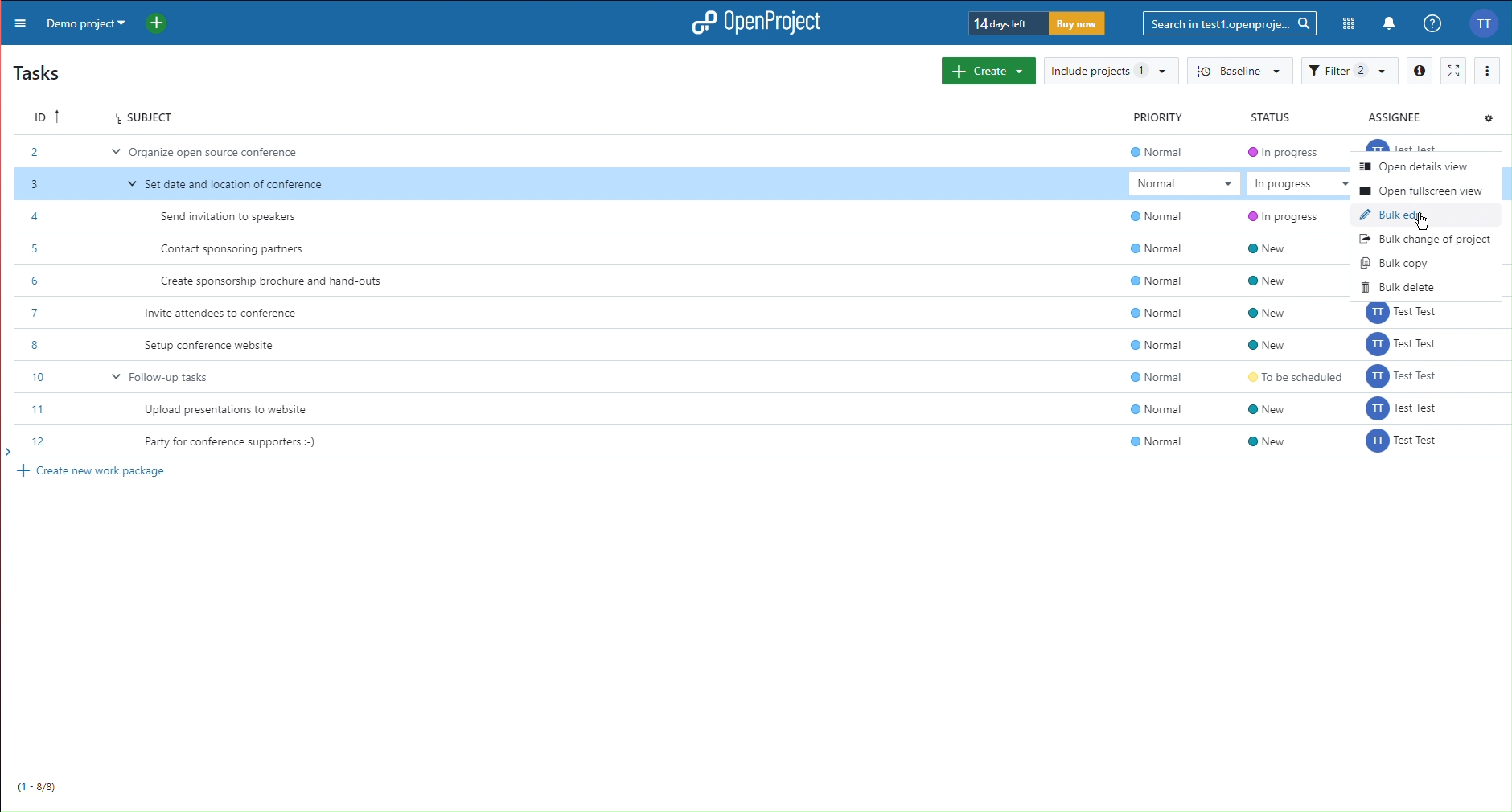  What do you see at coordinates (1107, 72) in the screenshot?
I see `Include projects` at bounding box center [1107, 72].